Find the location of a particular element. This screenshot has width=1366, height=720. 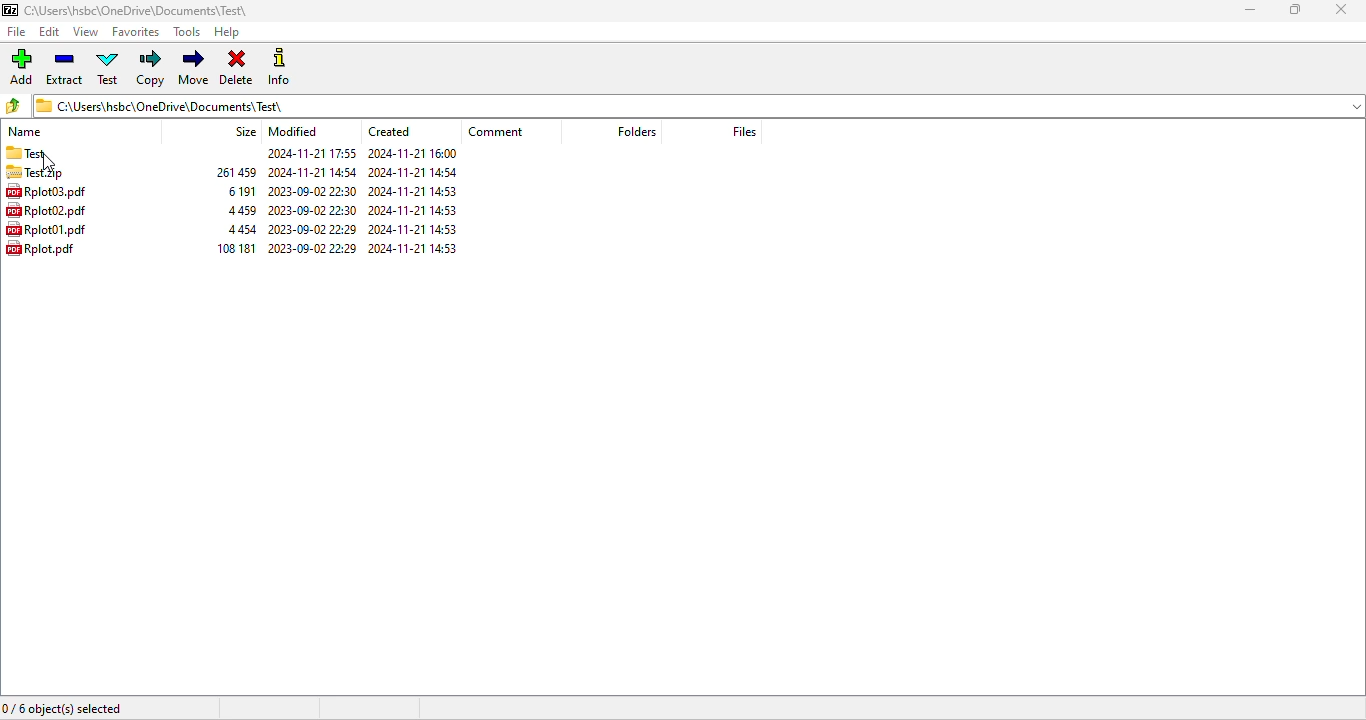

folders is located at coordinates (638, 131).